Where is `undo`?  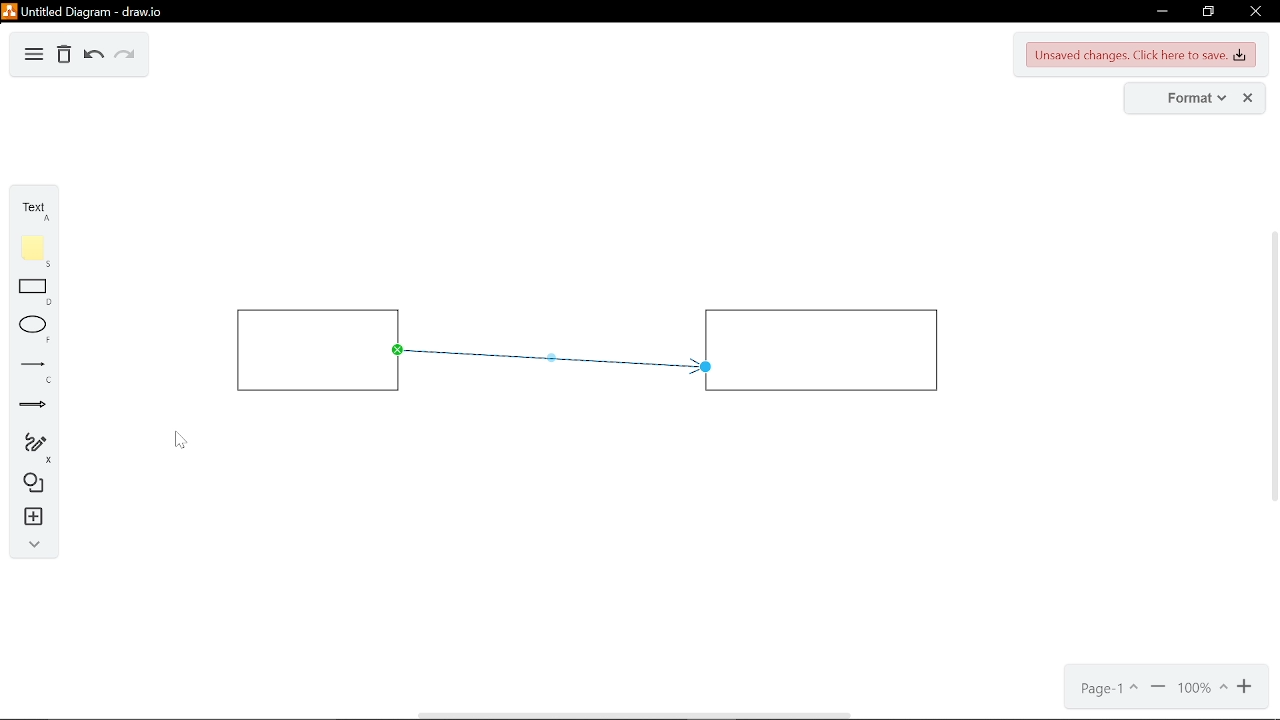 undo is located at coordinates (92, 57).